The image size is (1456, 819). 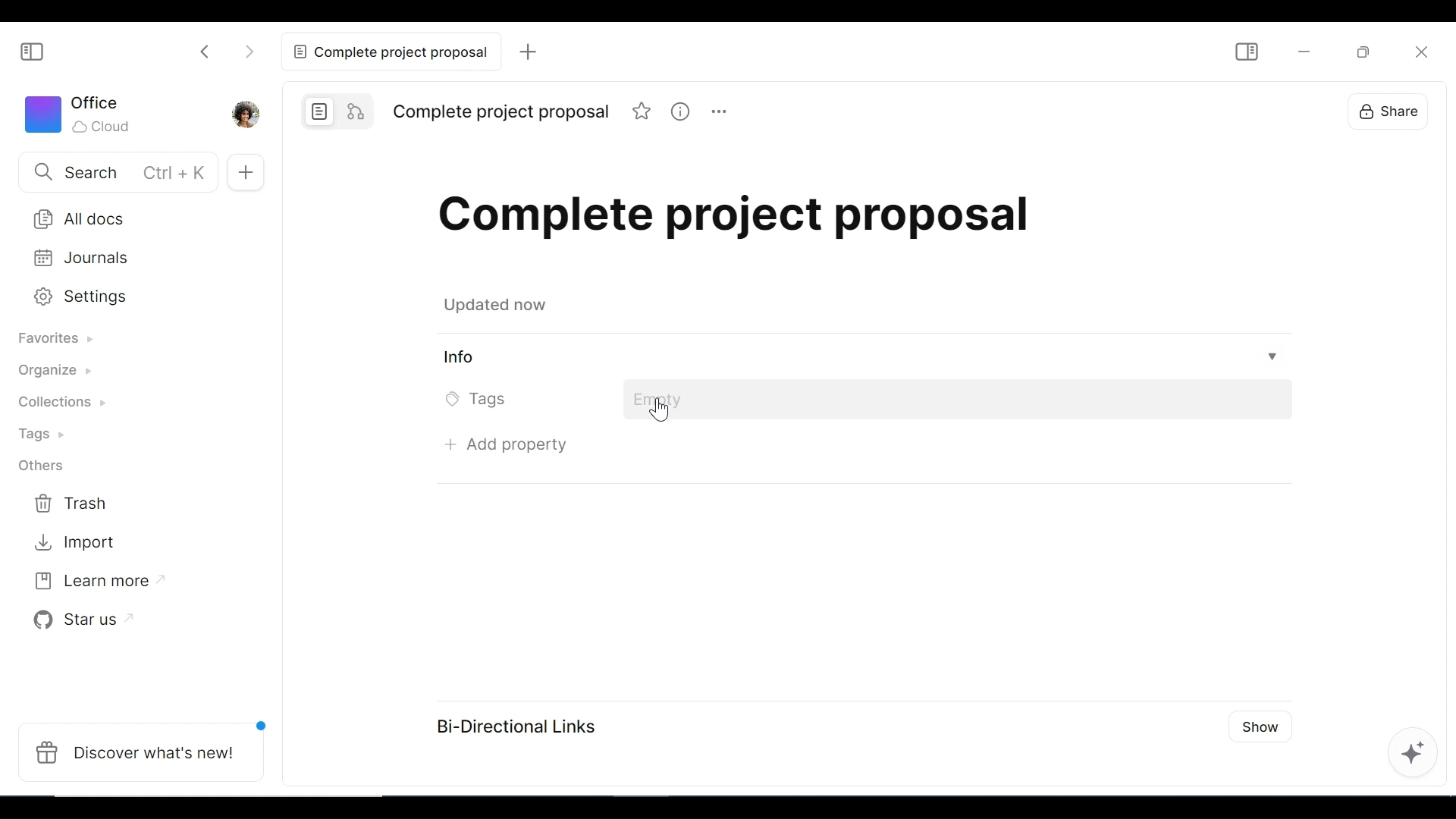 What do you see at coordinates (199, 52) in the screenshot?
I see `Click to go back` at bounding box center [199, 52].